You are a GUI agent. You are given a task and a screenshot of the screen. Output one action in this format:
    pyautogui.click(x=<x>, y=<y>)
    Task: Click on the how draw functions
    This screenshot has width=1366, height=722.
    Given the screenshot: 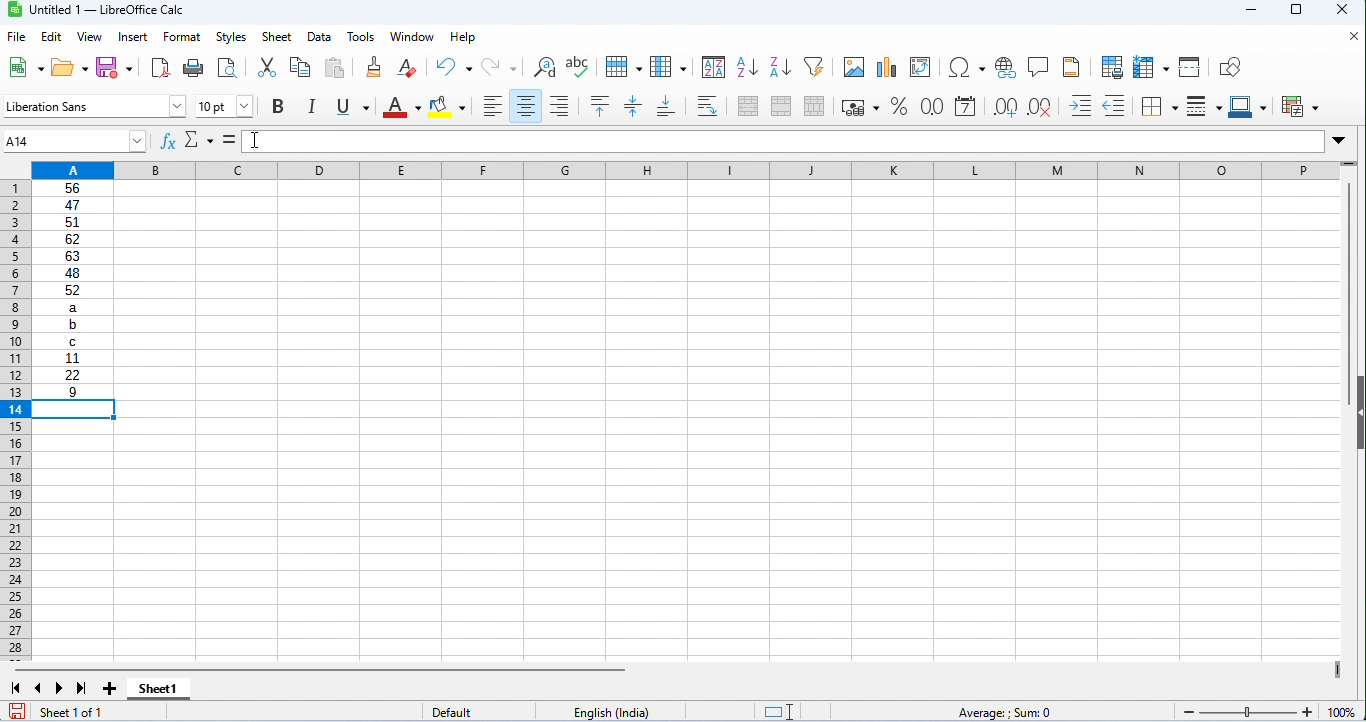 What is the action you would take?
    pyautogui.click(x=1232, y=67)
    